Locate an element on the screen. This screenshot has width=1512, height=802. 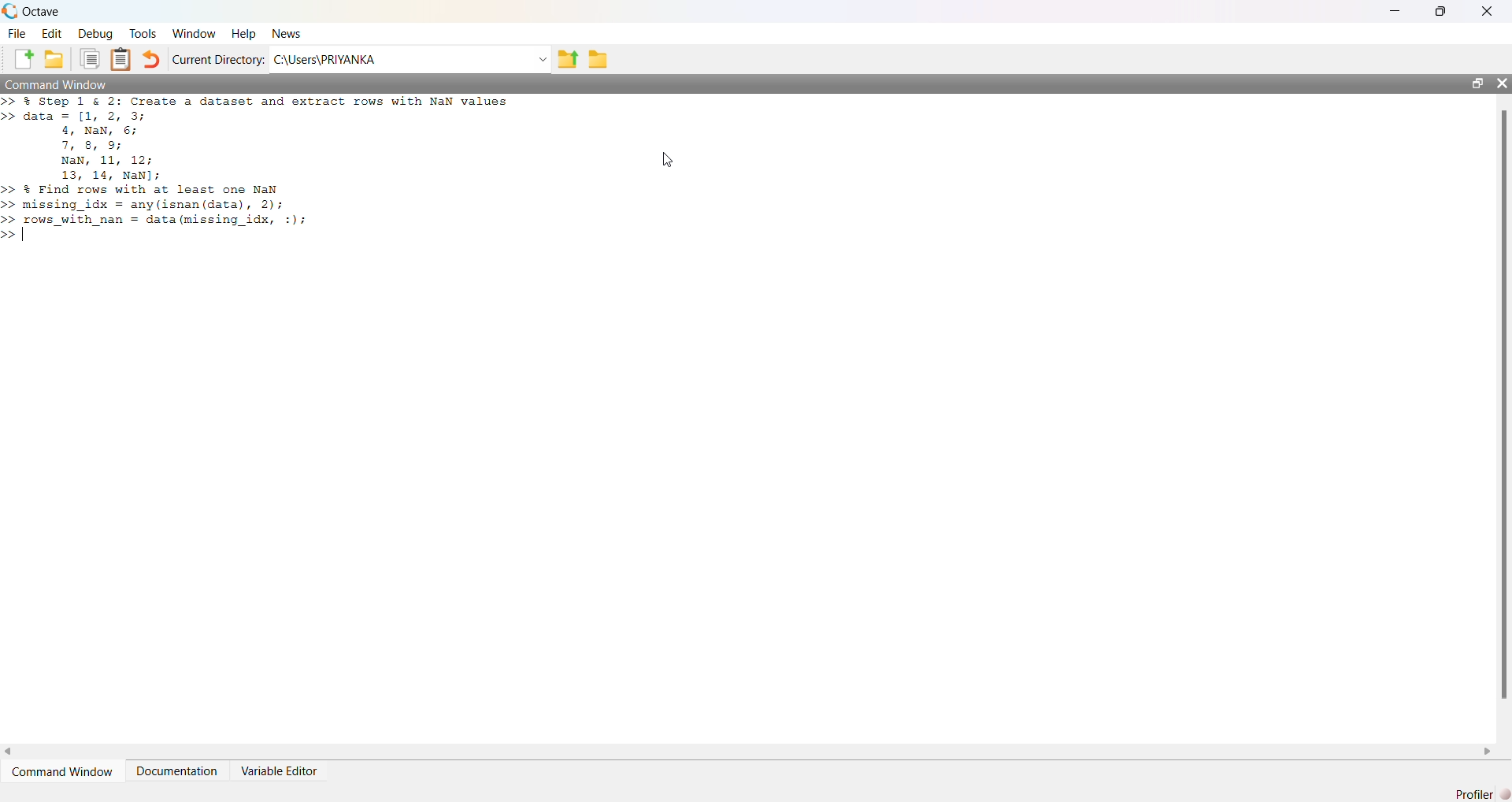
File is located at coordinates (17, 34).